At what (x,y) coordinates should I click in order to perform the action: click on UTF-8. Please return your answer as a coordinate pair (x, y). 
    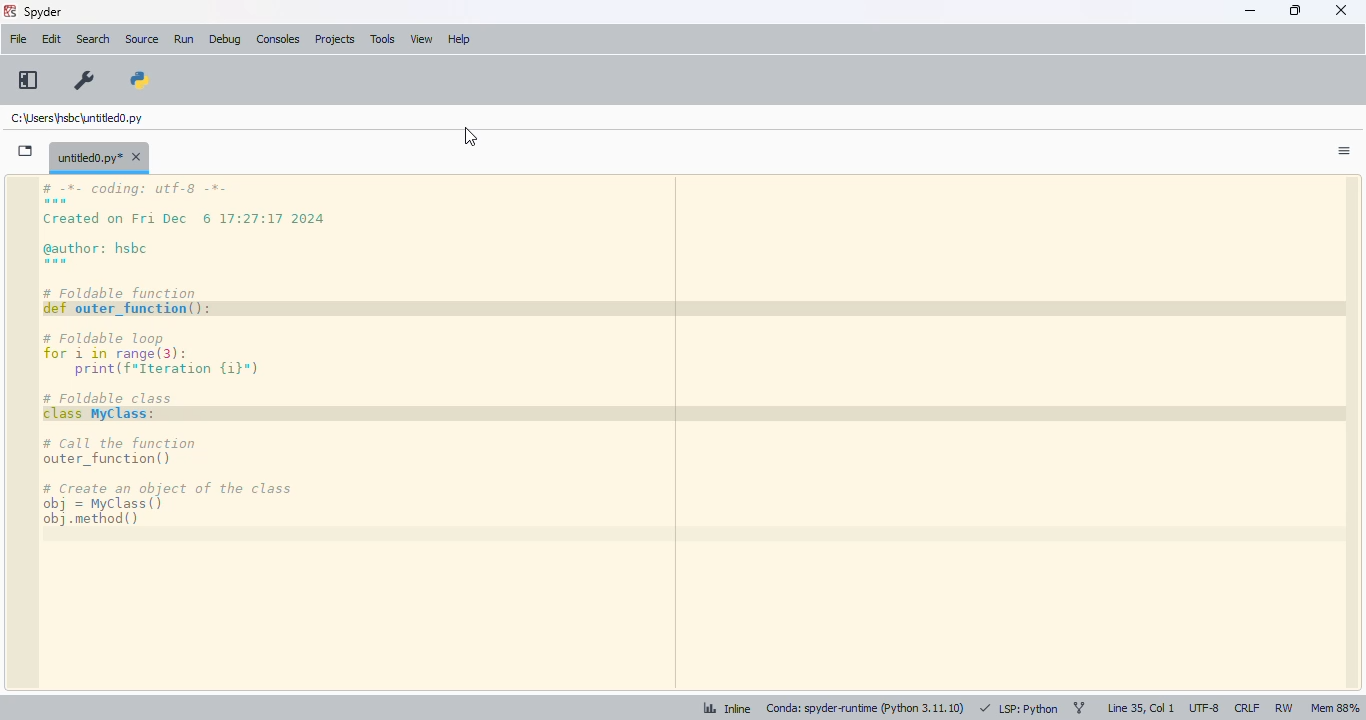
    Looking at the image, I should click on (1204, 708).